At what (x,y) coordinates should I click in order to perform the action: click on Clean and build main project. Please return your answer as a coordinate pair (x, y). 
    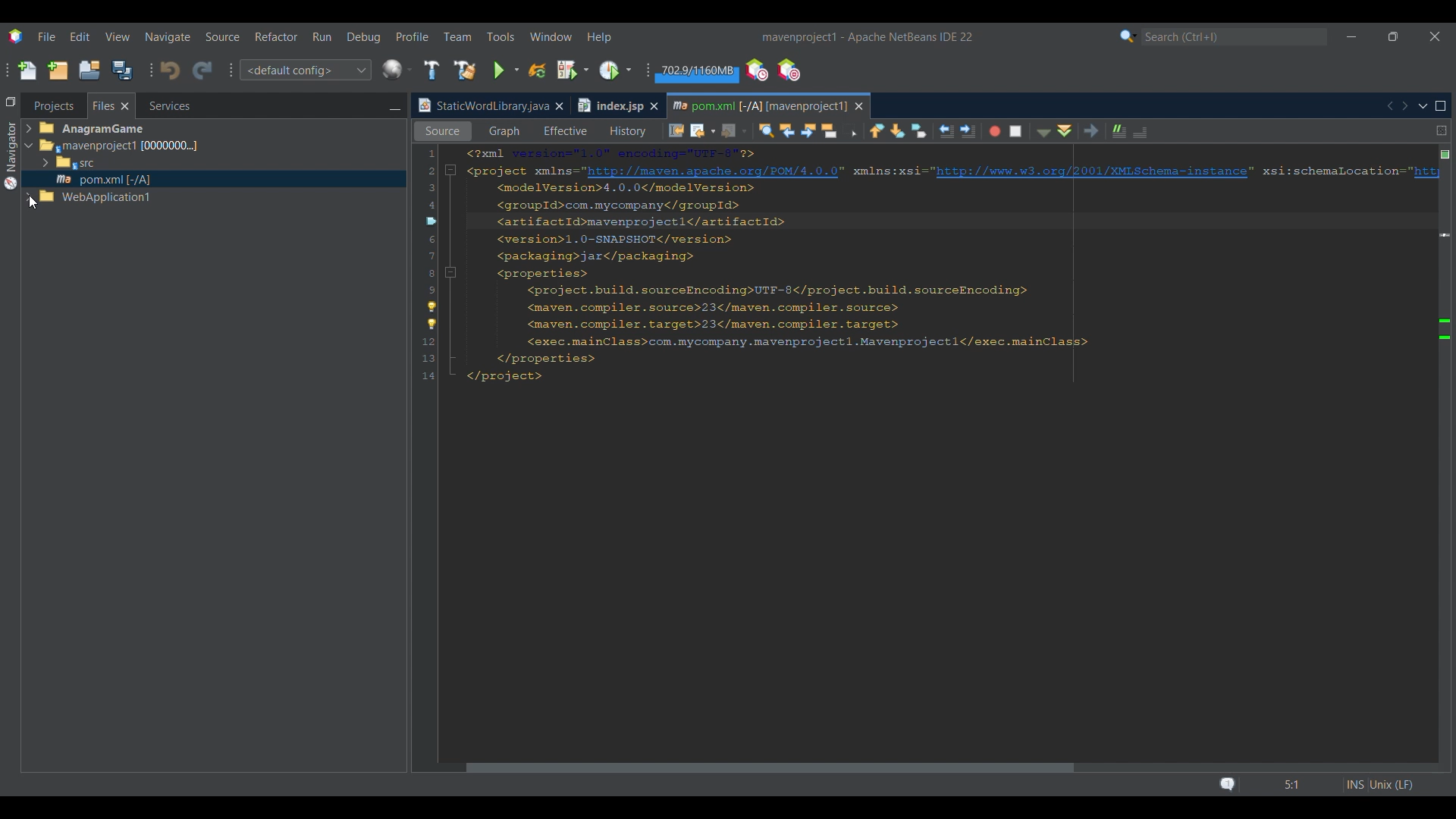
    Looking at the image, I should click on (465, 71).